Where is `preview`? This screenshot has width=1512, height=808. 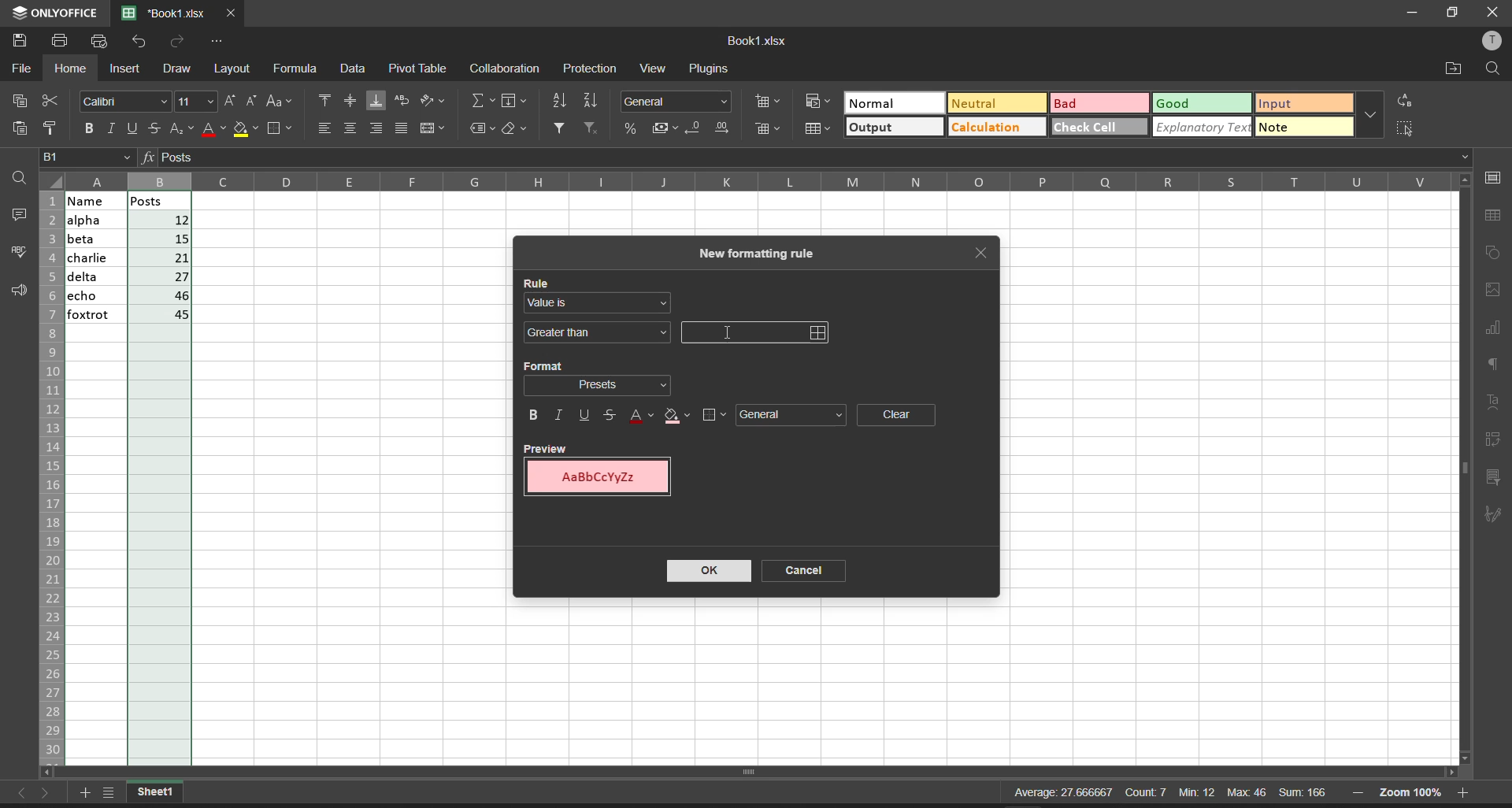
preview is located at coordinates (602, 472).